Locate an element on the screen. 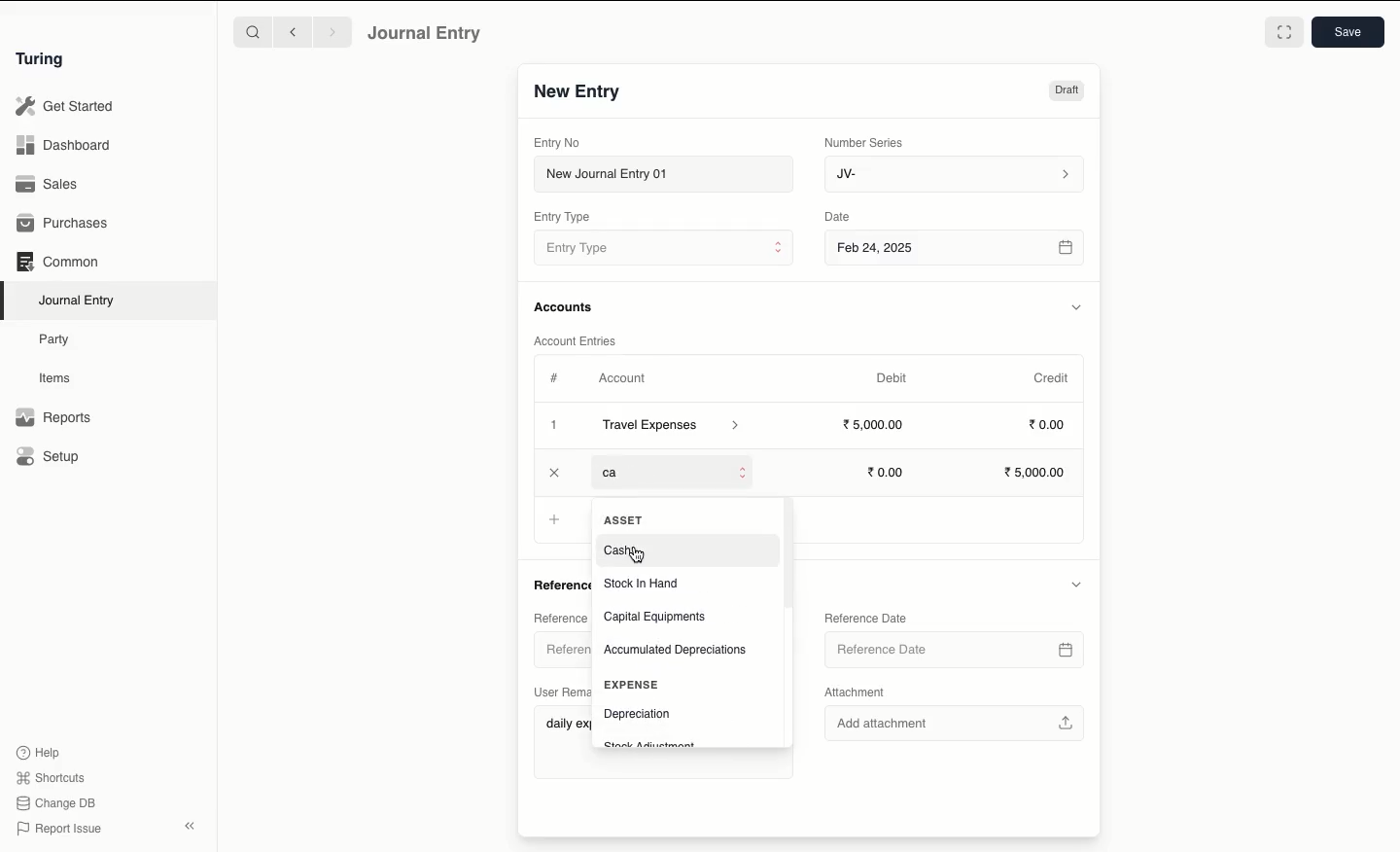  Dashboard is located at coordinates (63, 146).